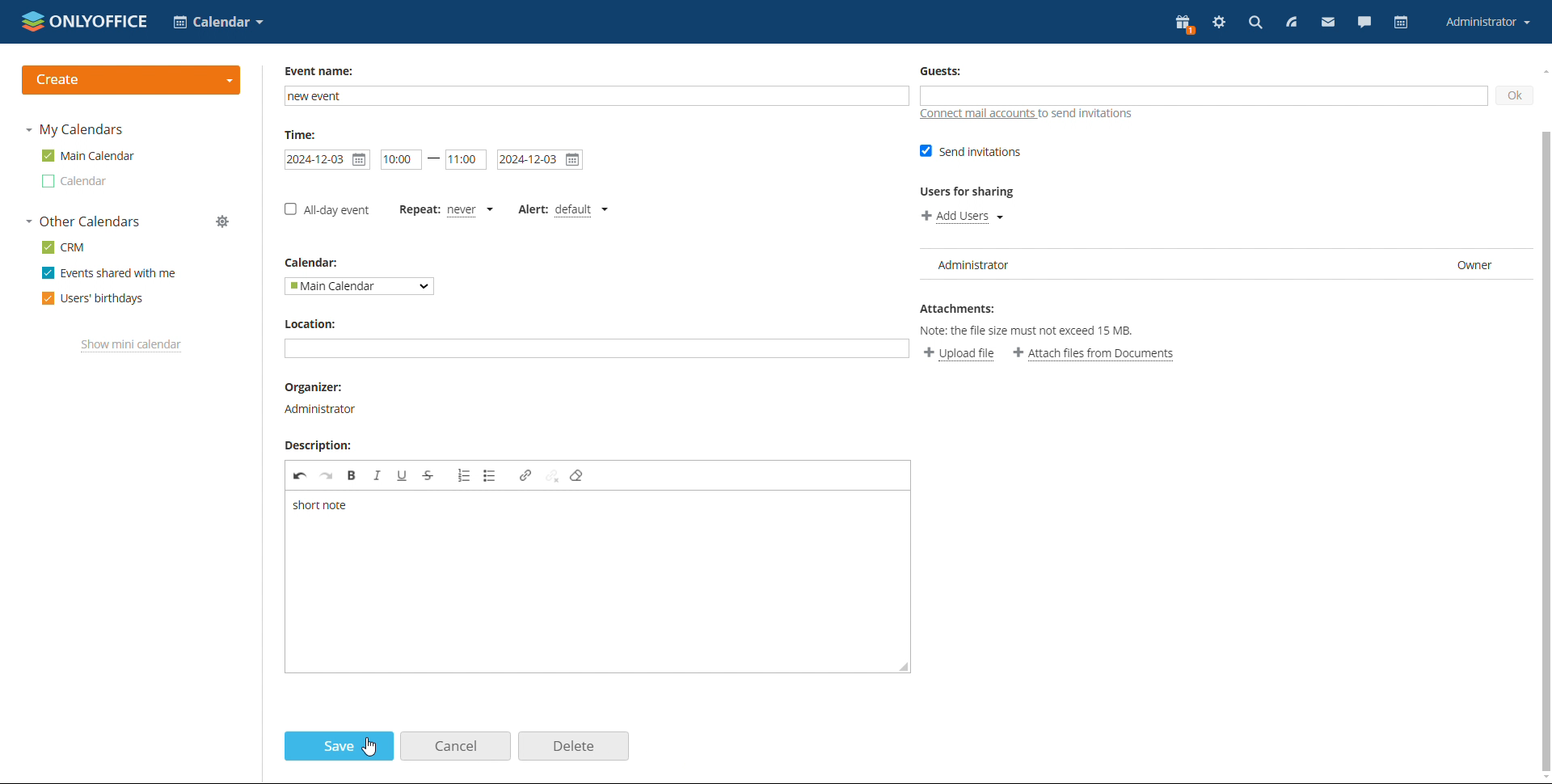 The image size is (1552, 784). Describe the element at coordinates (401, 158) in the screenshot. I see `start date` at that location.